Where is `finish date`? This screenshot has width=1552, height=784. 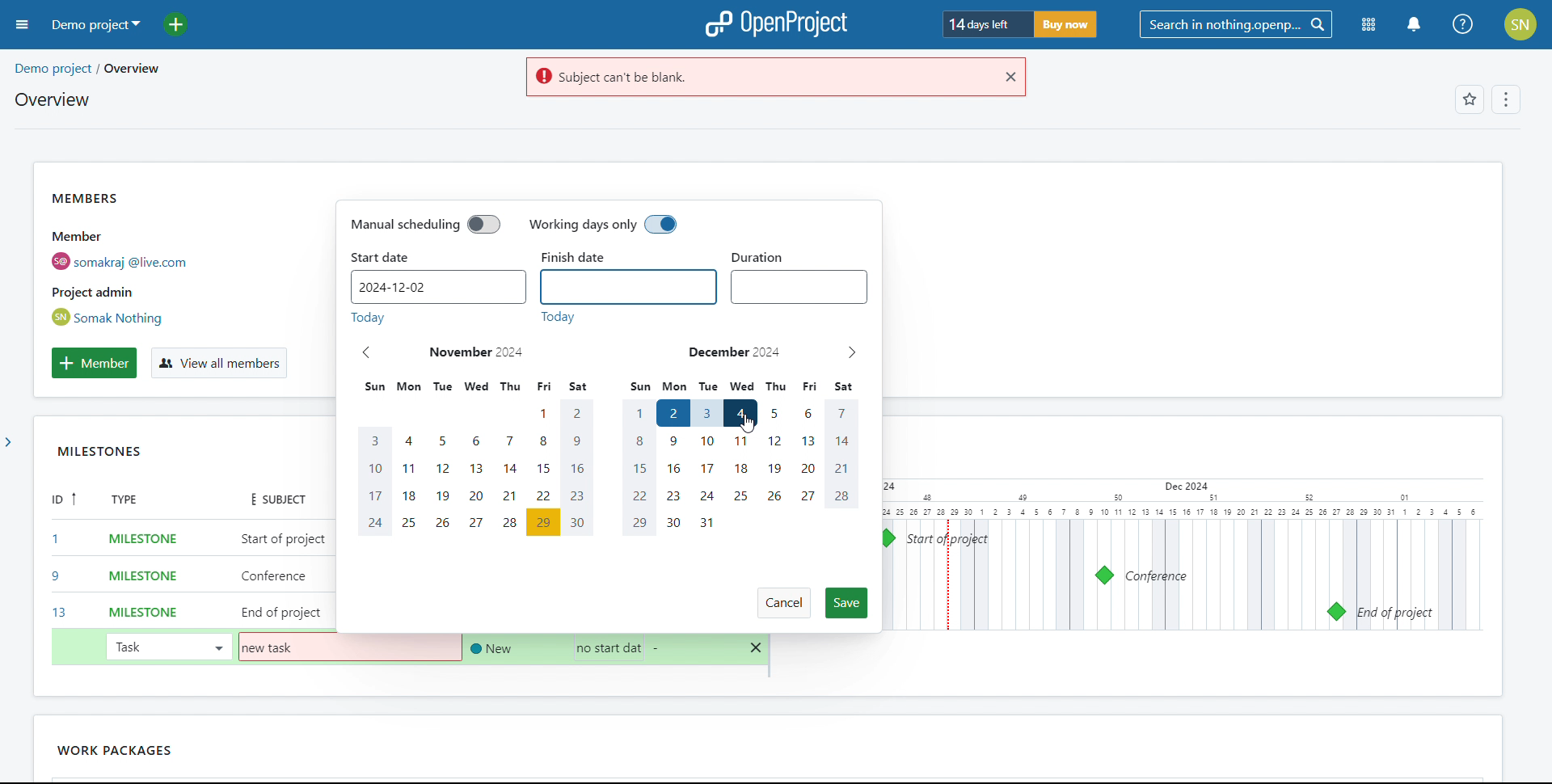
finish date is located at coordinates (629, 287).